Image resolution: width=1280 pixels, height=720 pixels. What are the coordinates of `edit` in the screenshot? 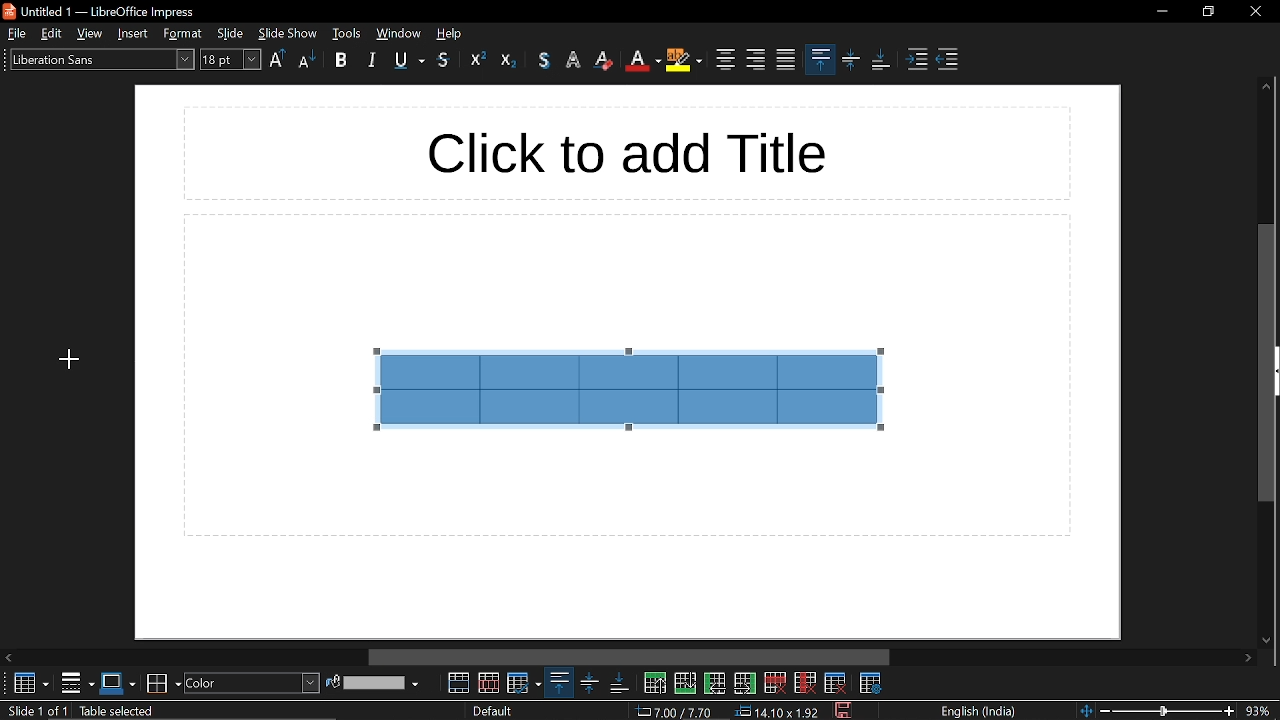 It's located at (53, 33).